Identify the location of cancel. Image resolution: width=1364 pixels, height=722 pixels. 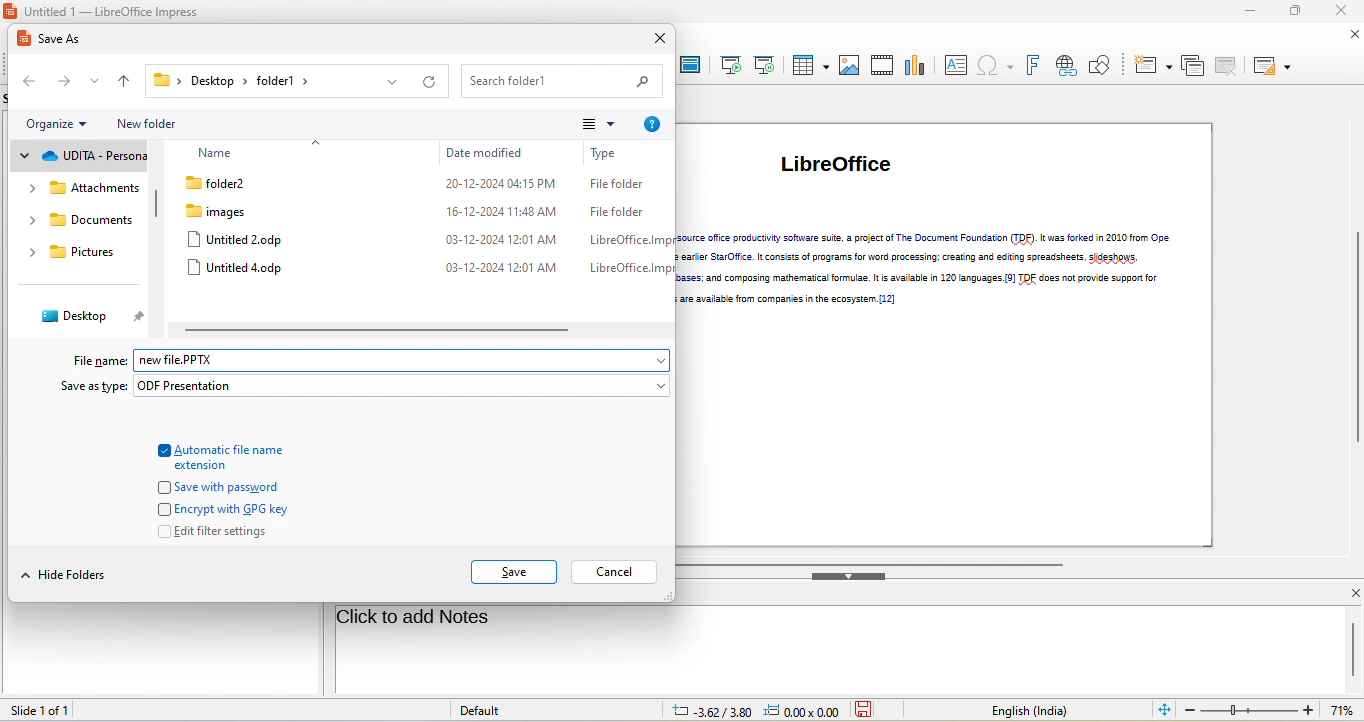
(615, 572).